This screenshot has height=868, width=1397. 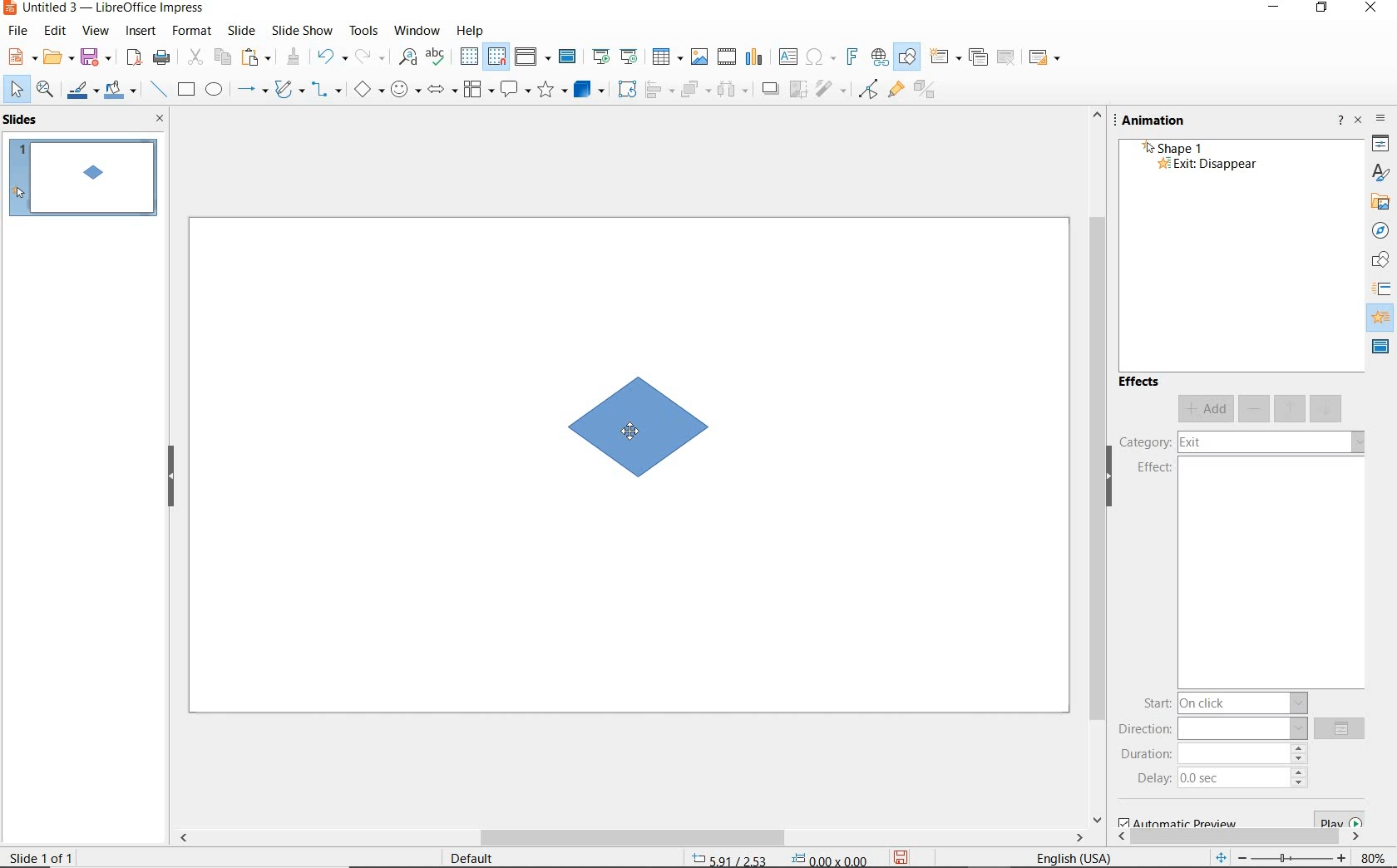 I want to click on show gluepoint functions, so click(x=896, y=91).